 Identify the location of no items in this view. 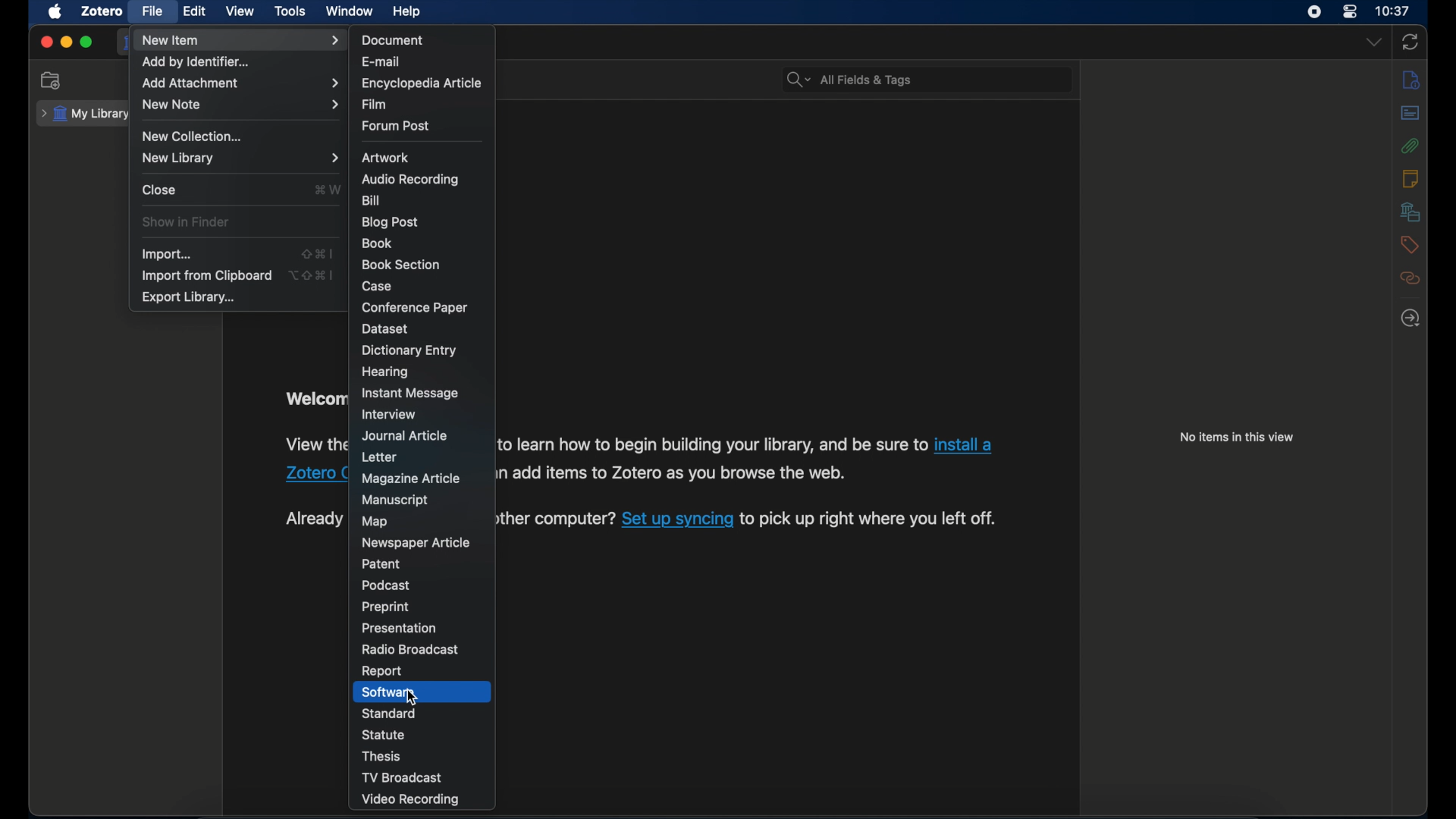
(1238, 438).